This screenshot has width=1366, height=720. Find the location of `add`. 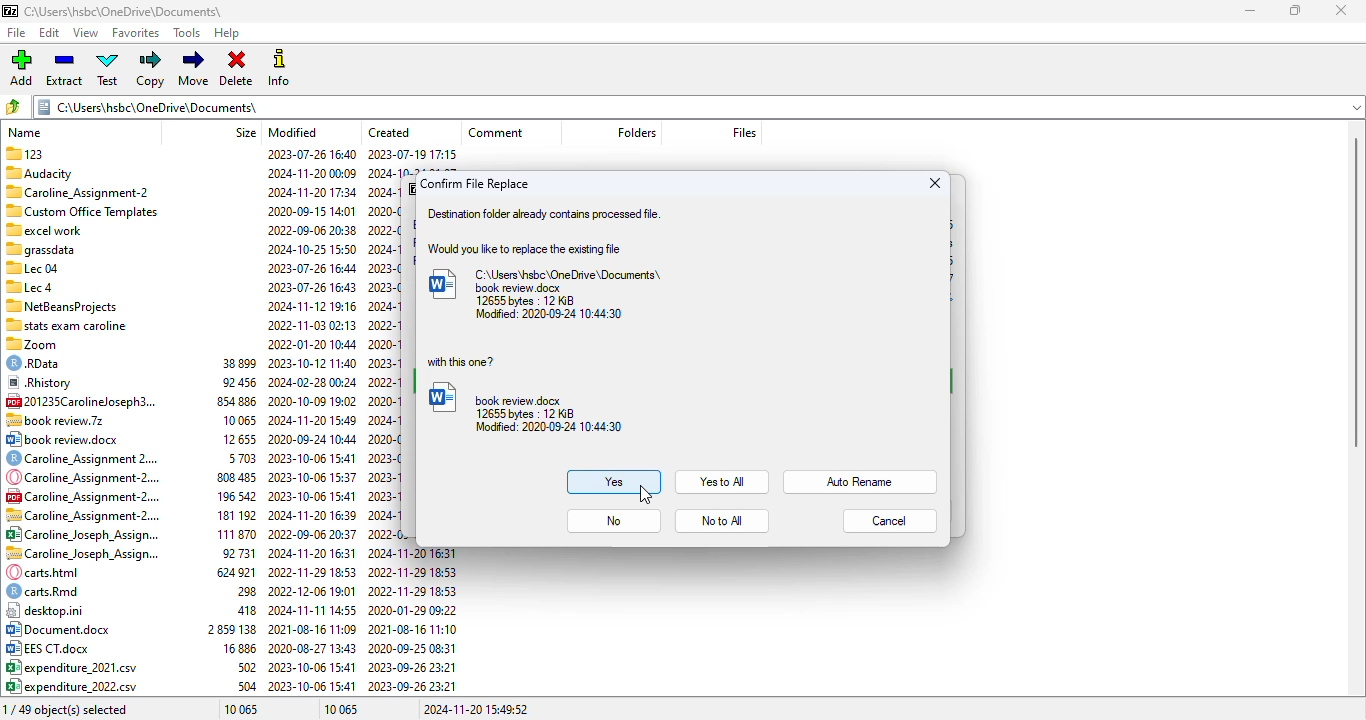

add is located at coordinates (21, 67).